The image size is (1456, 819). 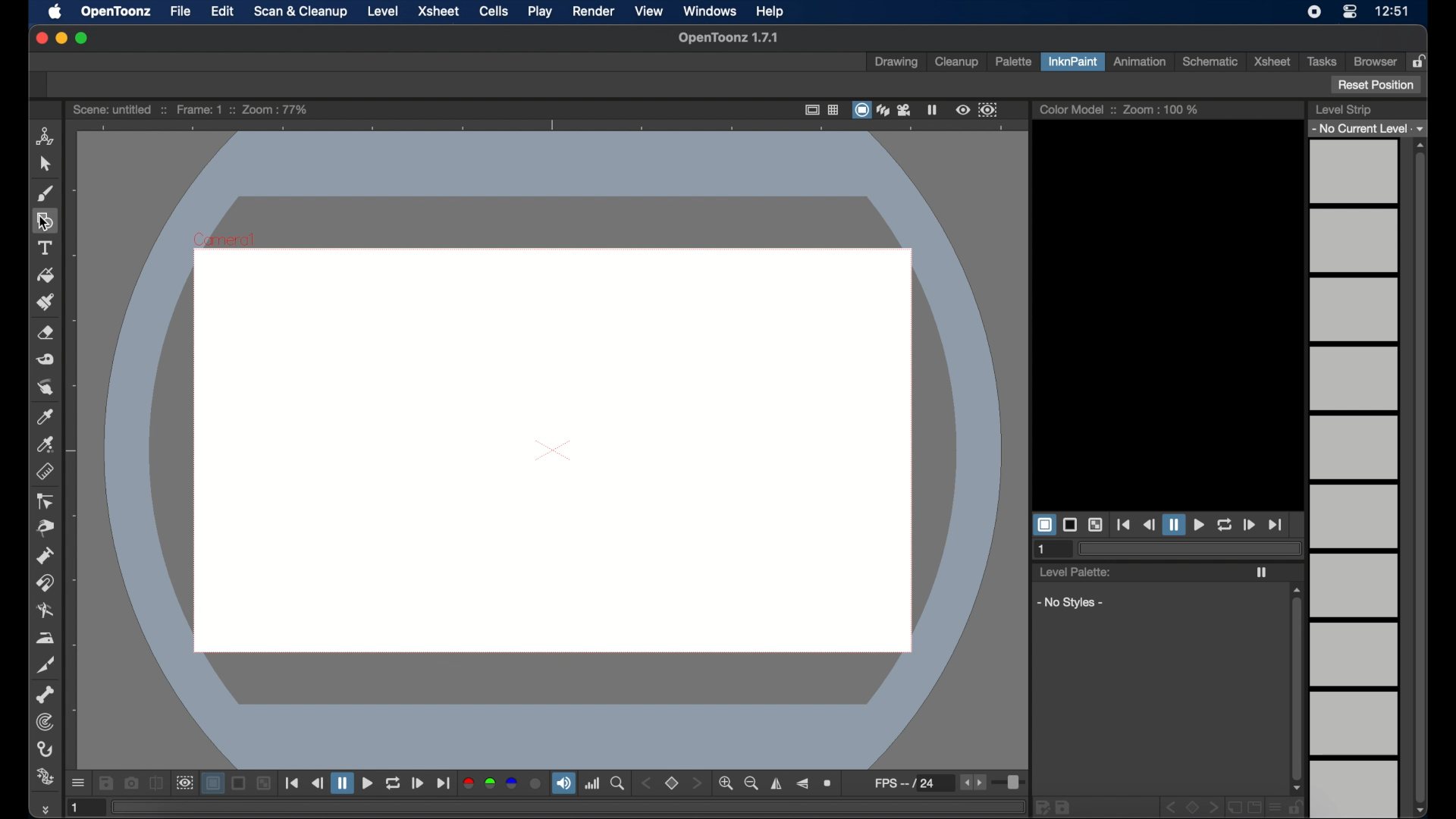 I want to click on scroll up arrow, so click(x=1420, y=145).